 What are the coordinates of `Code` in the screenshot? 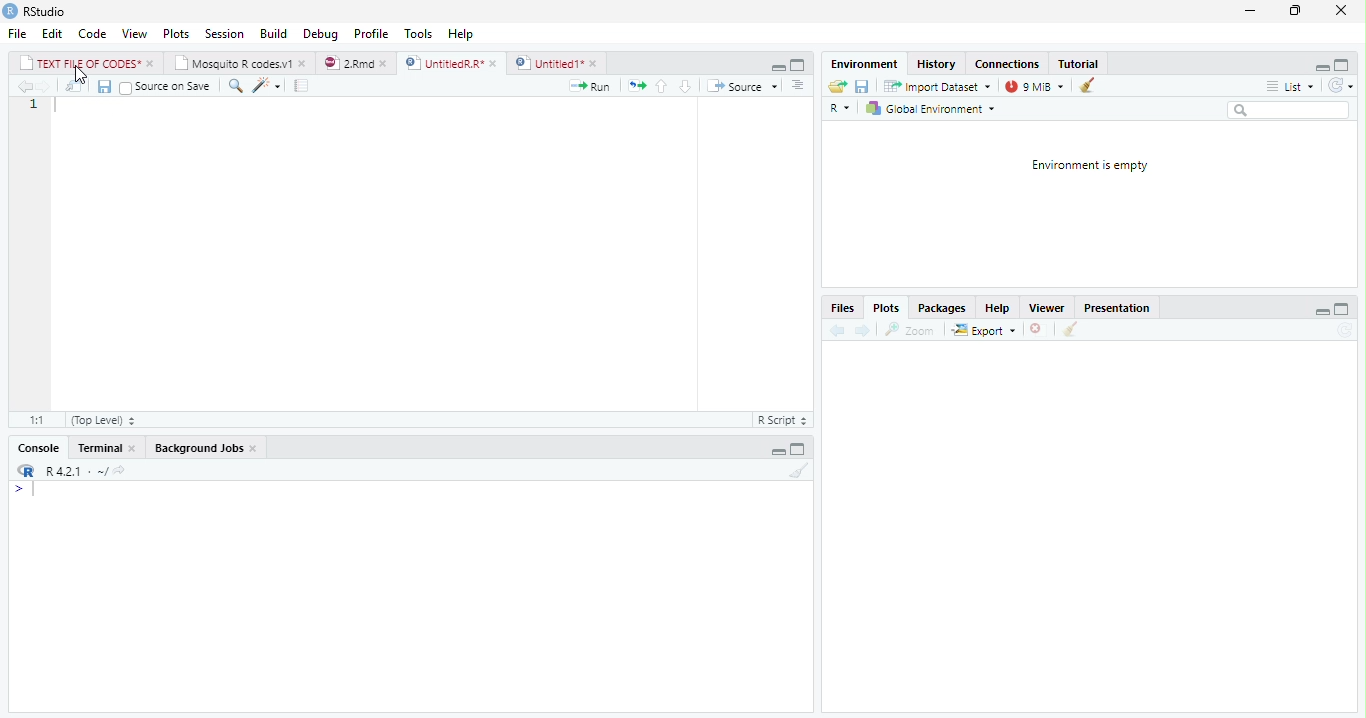 It's located at (92, 35).